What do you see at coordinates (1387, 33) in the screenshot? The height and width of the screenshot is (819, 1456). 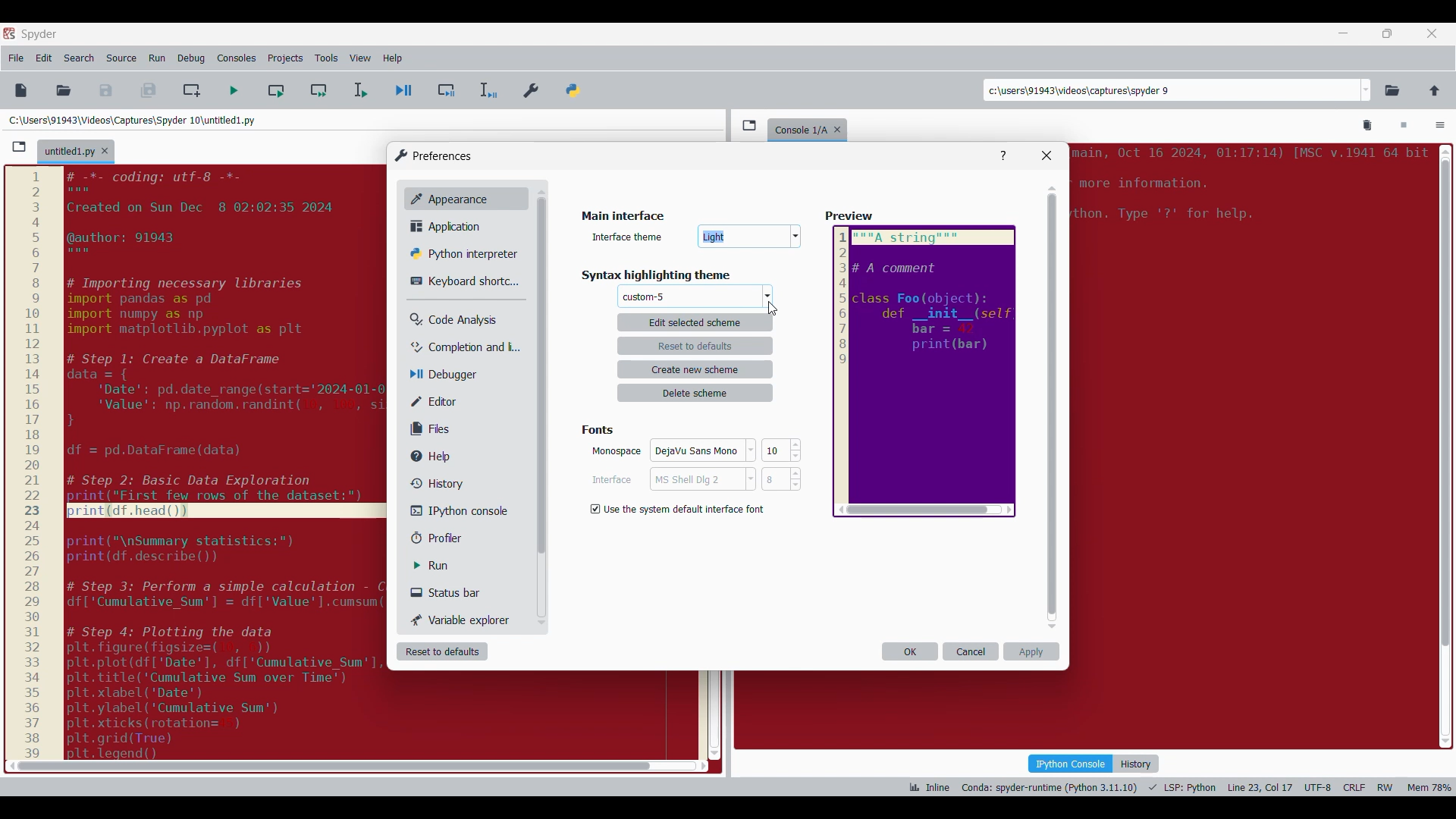 I see `Show in smaller tab` at bounding box center [1387, 33].